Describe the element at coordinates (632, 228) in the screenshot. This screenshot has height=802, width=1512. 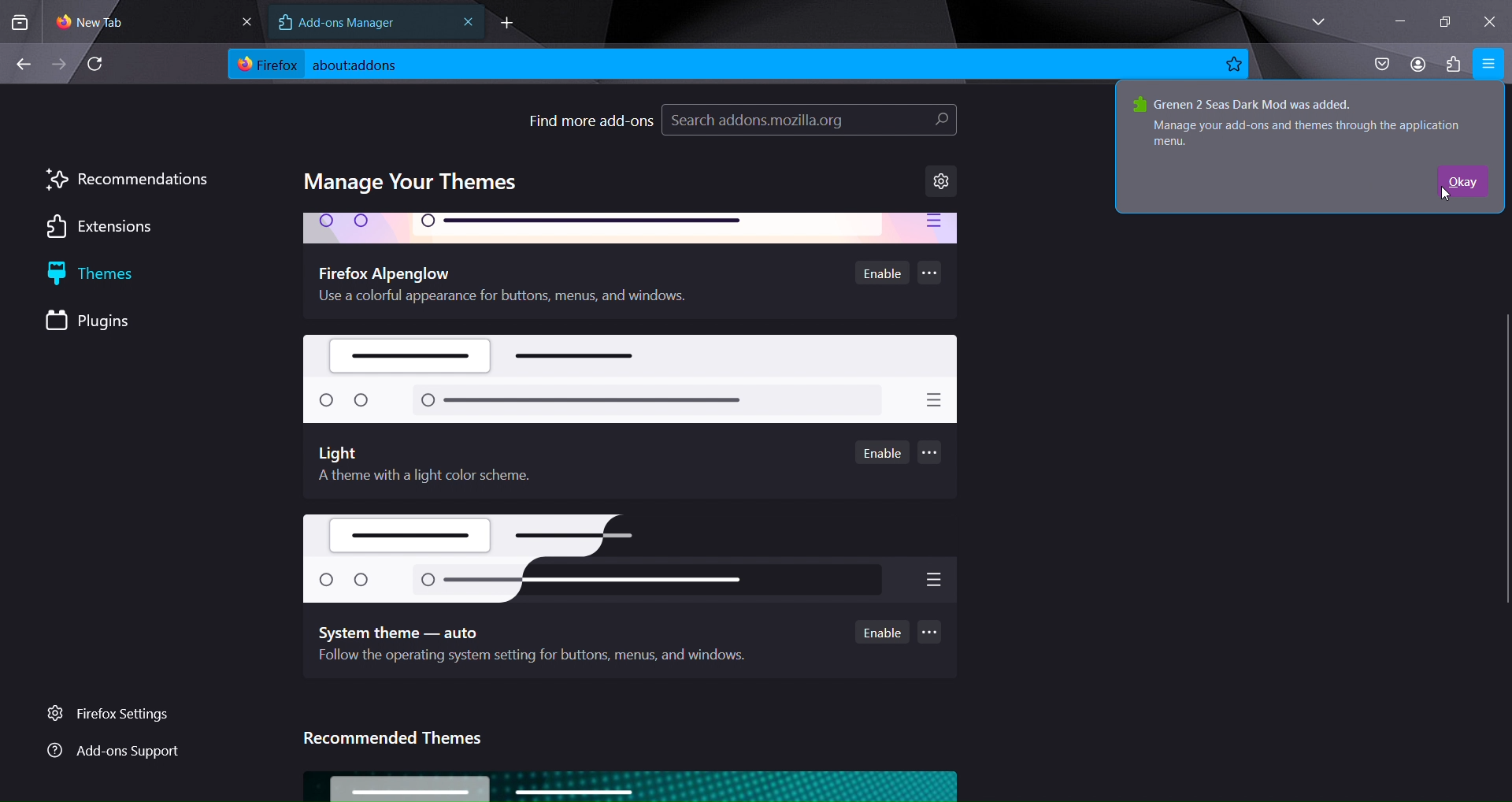
I see `firefox alpenglow` at that location.